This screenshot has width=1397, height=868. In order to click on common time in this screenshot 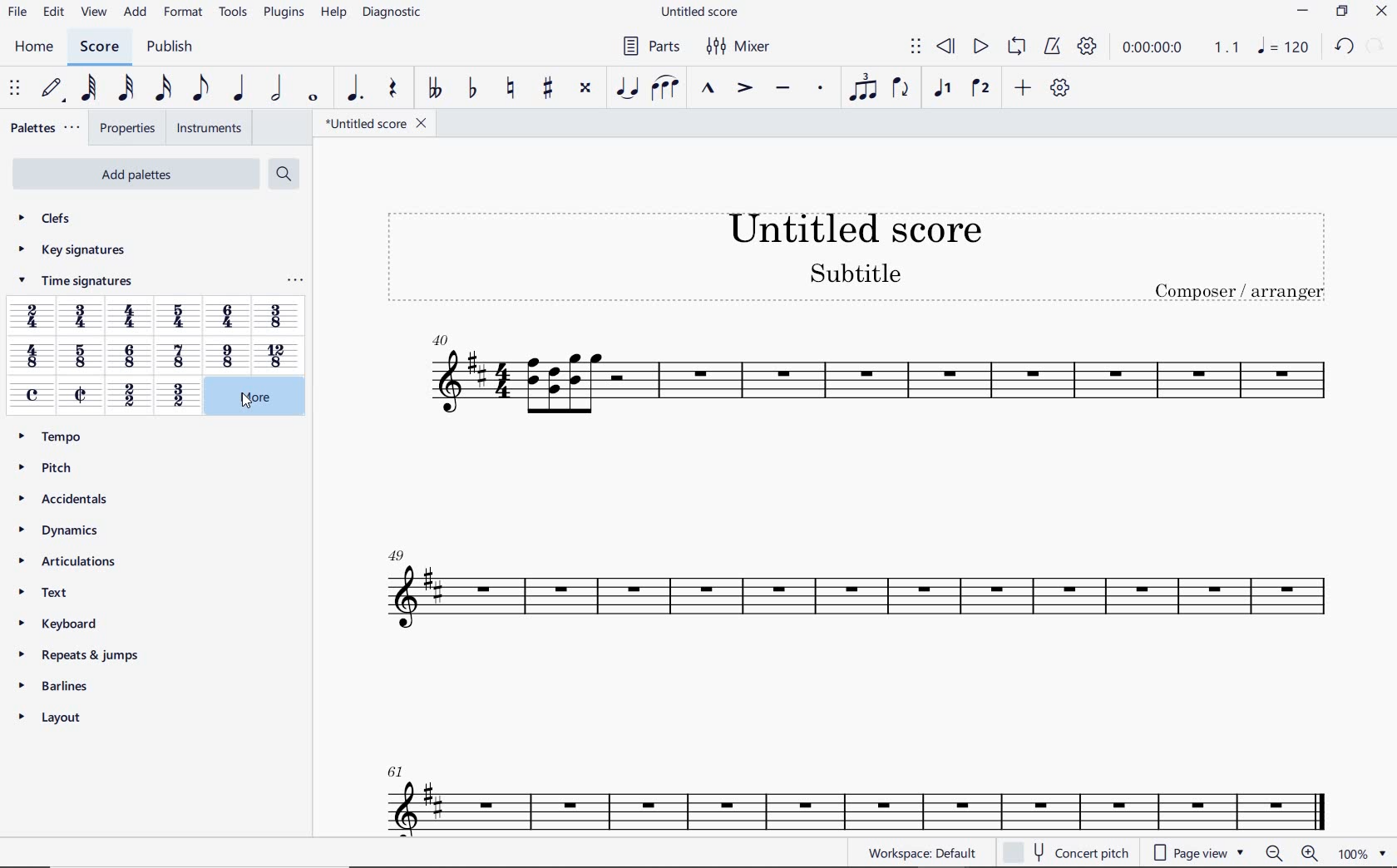, I will do `click(33, 395)`.